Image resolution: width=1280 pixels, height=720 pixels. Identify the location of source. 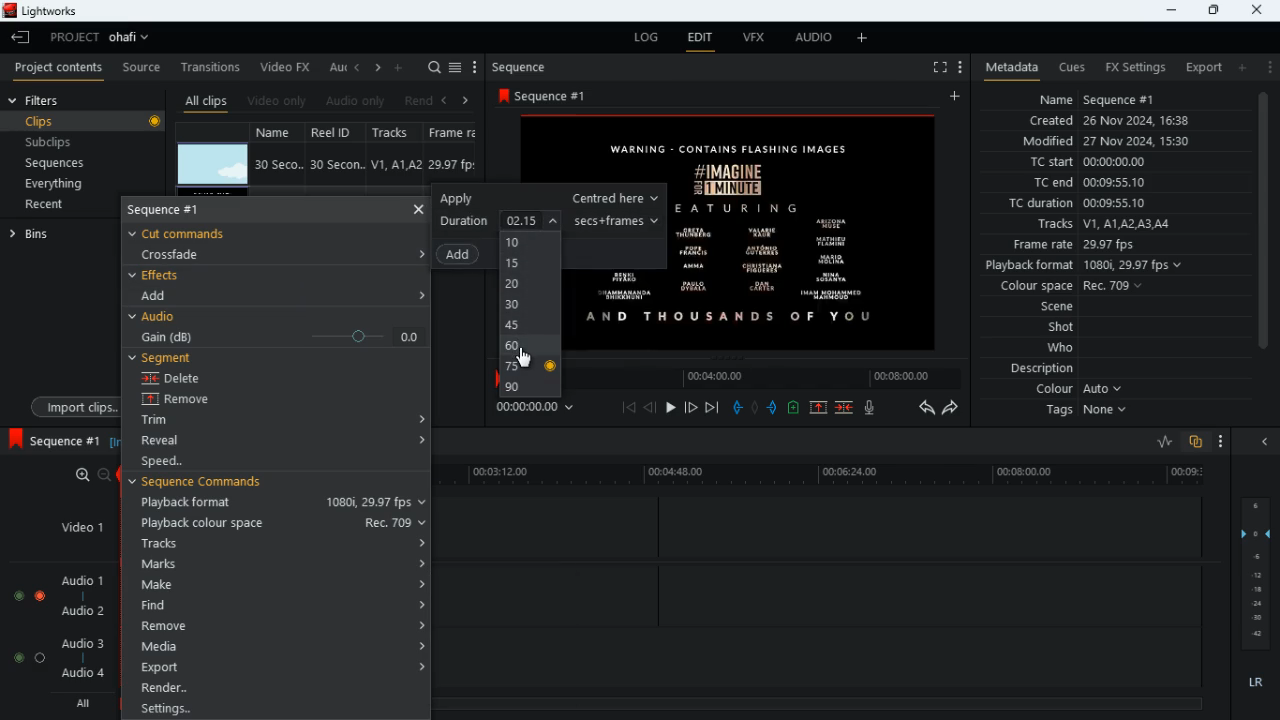
(141, 68).